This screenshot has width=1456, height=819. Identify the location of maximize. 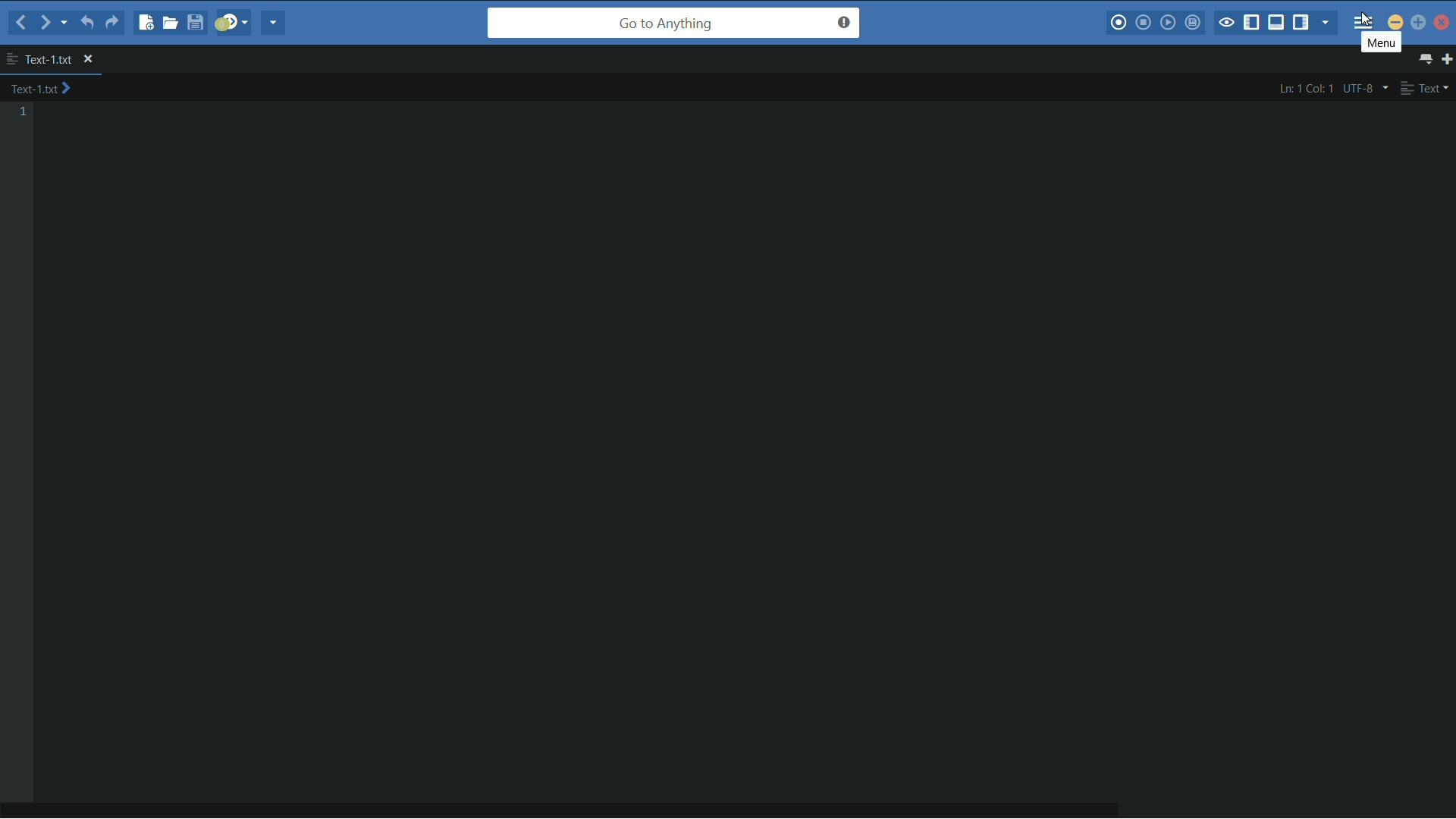
(1418, 22).